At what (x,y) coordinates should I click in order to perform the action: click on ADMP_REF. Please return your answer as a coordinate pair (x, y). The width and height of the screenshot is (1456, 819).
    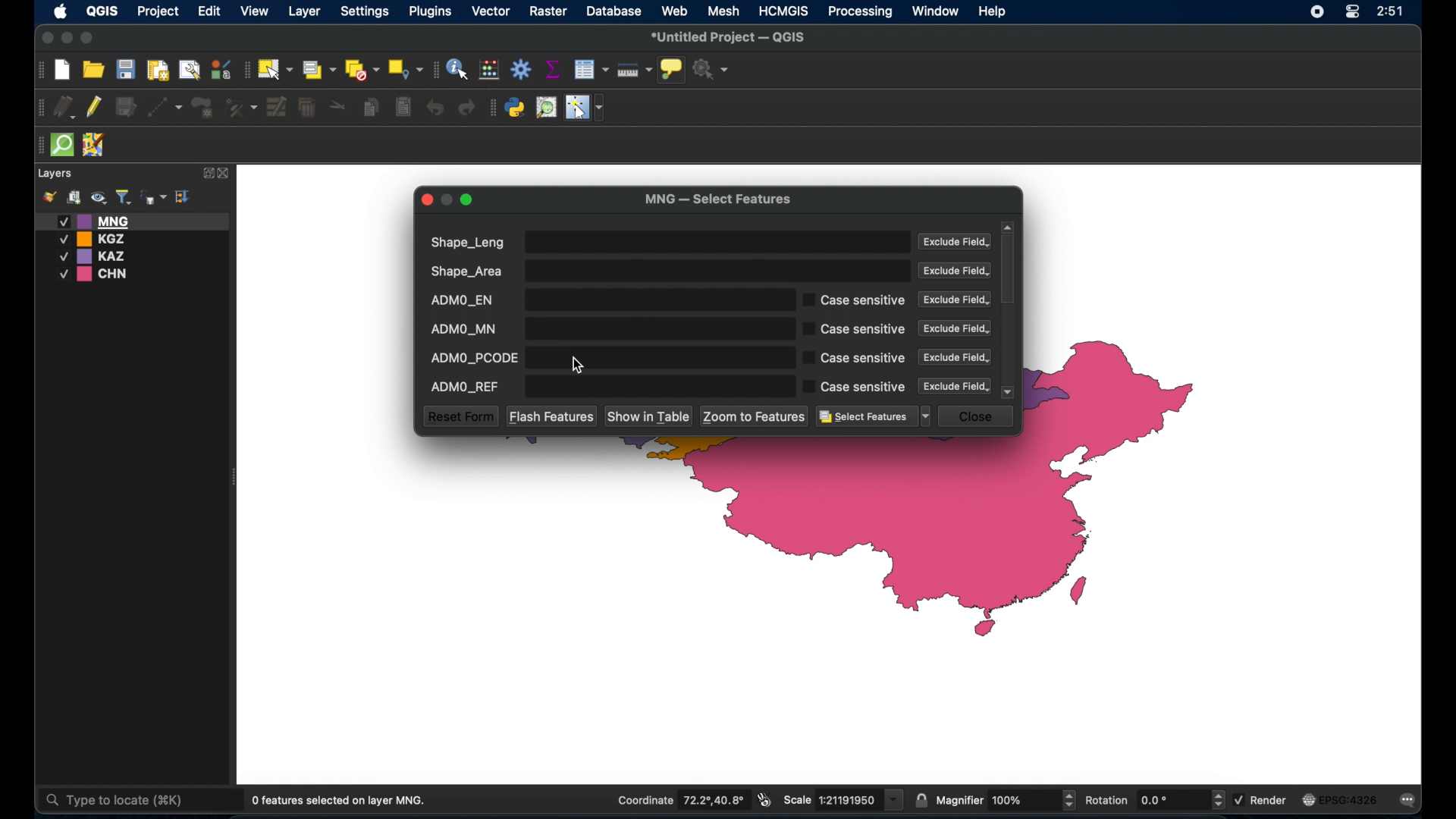
    Looking at the image, I should click on (606, 387).